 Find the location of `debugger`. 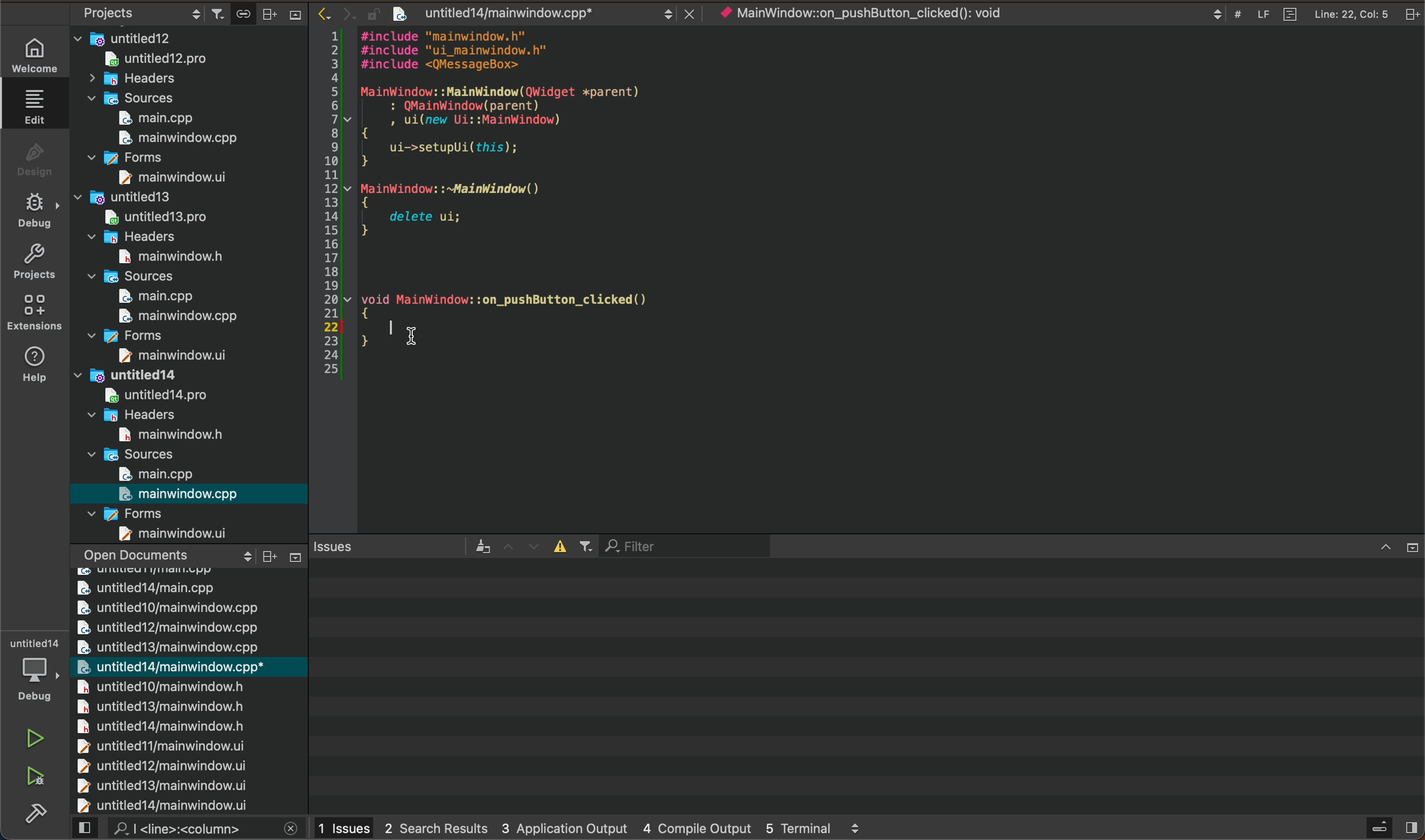

debugger is located at coordinates (37, 673).